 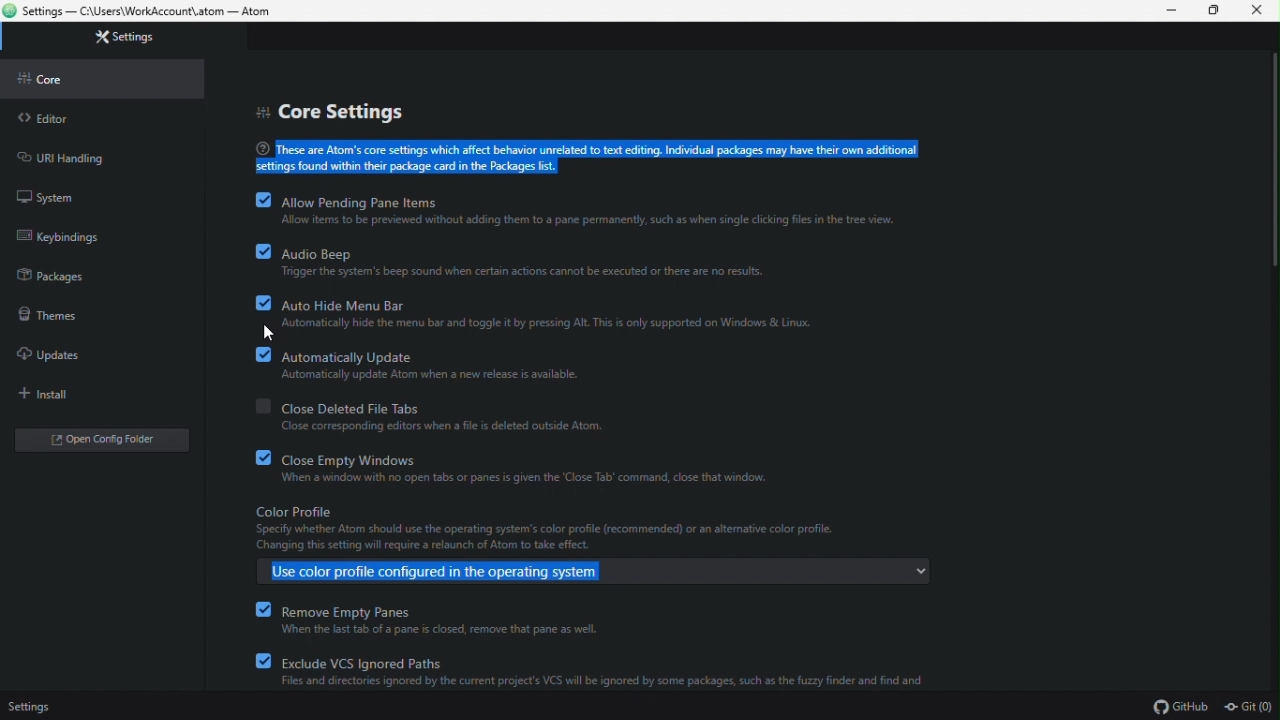 I want to click on system, so click(x=52, y=197).